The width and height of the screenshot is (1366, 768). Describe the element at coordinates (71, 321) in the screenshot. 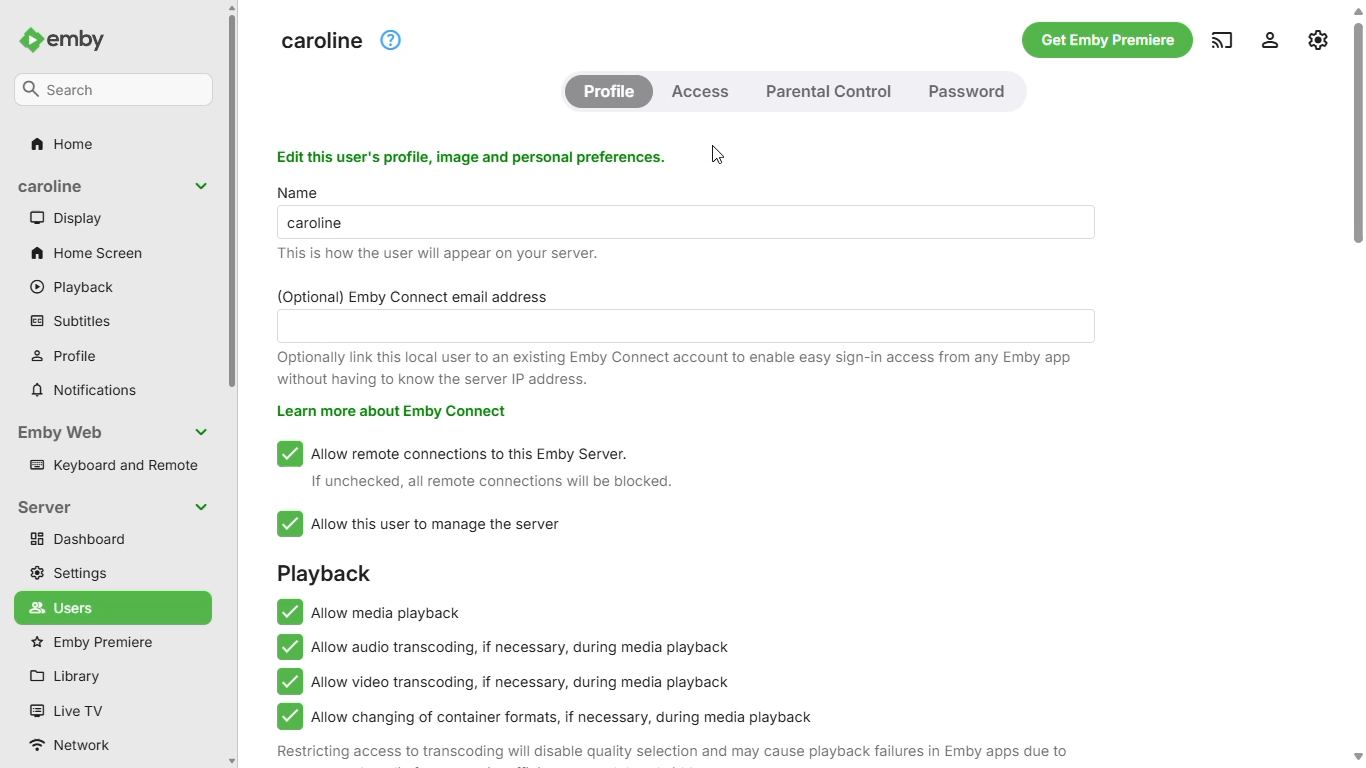

I see `subtitles` at that location.